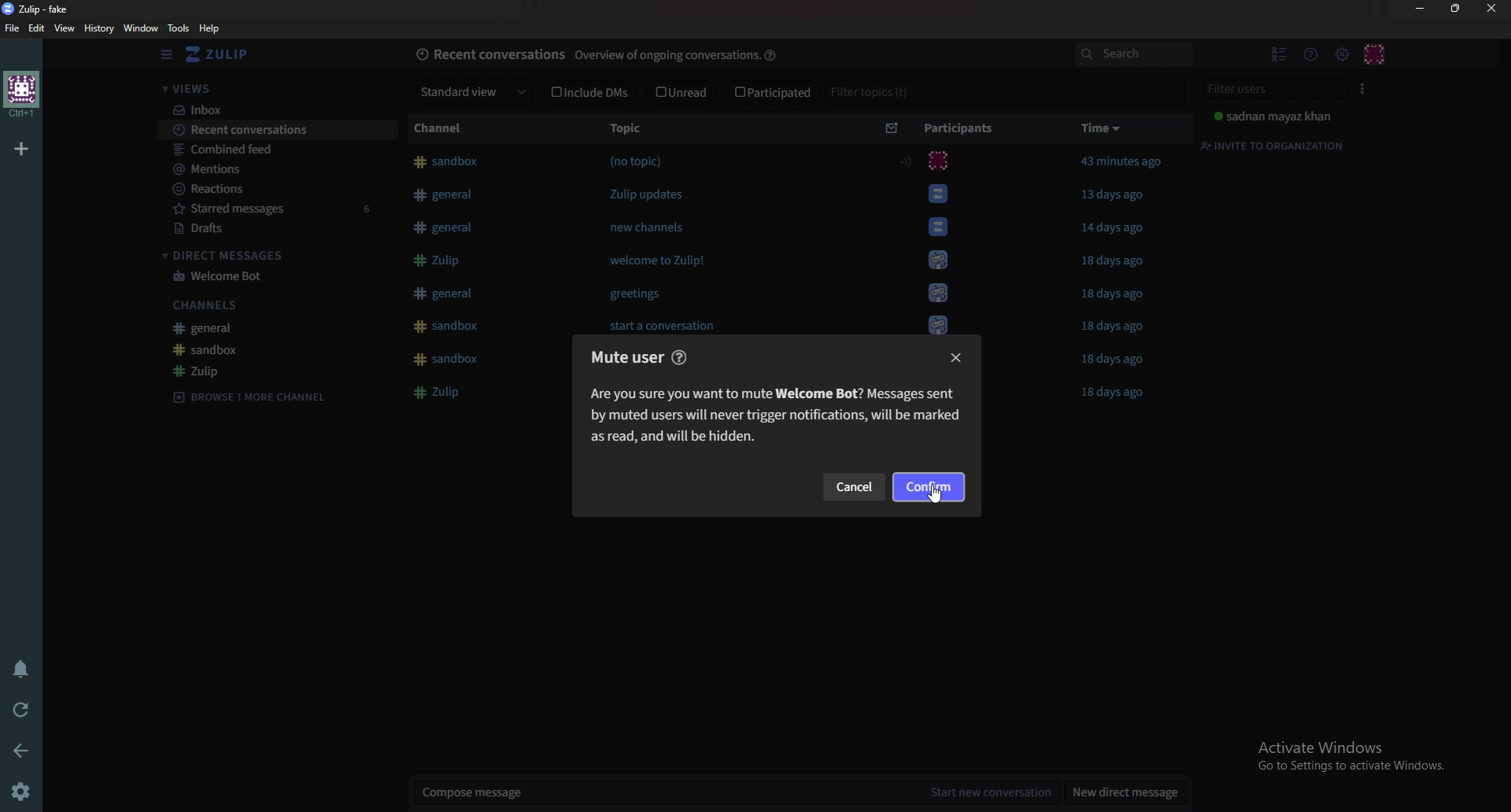 The image size is (1511, 812). What do you see at coordinates (1310, 55) in the screenshot?
I see `help menu` at bounding box center [1310, 55].